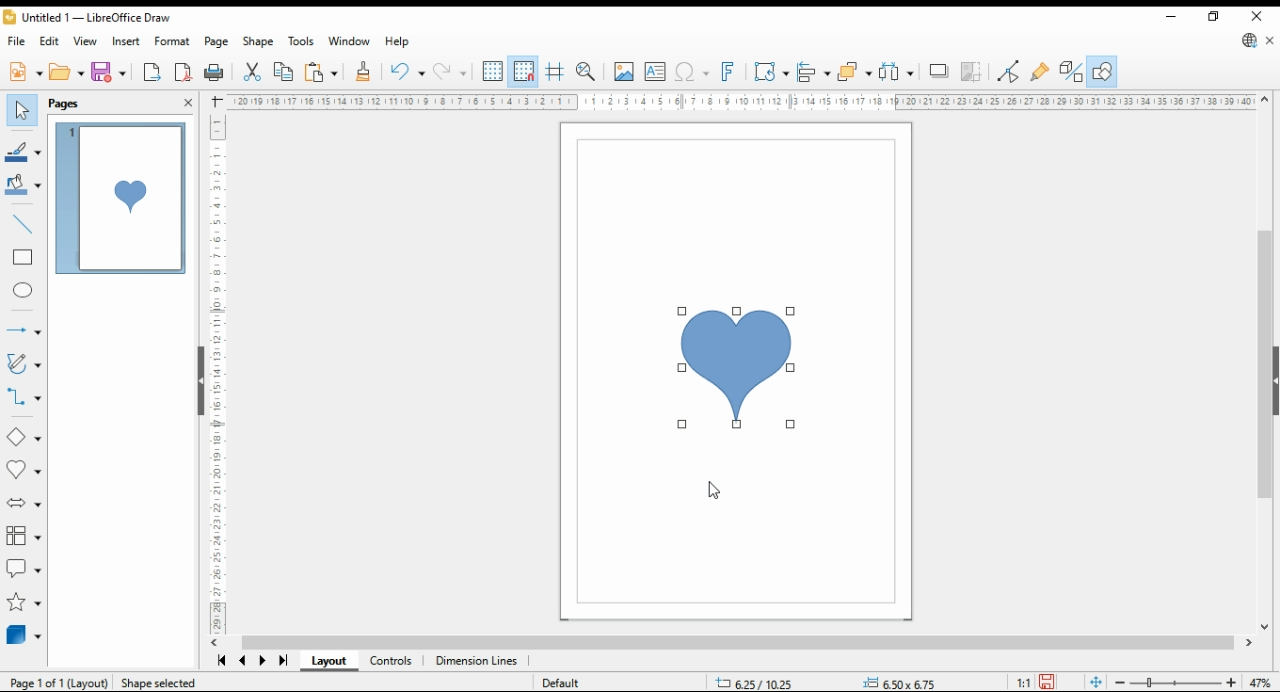 The height and width of the screenshot is (692, 1280). I want to click on helplines while moving, so click(556, 72).